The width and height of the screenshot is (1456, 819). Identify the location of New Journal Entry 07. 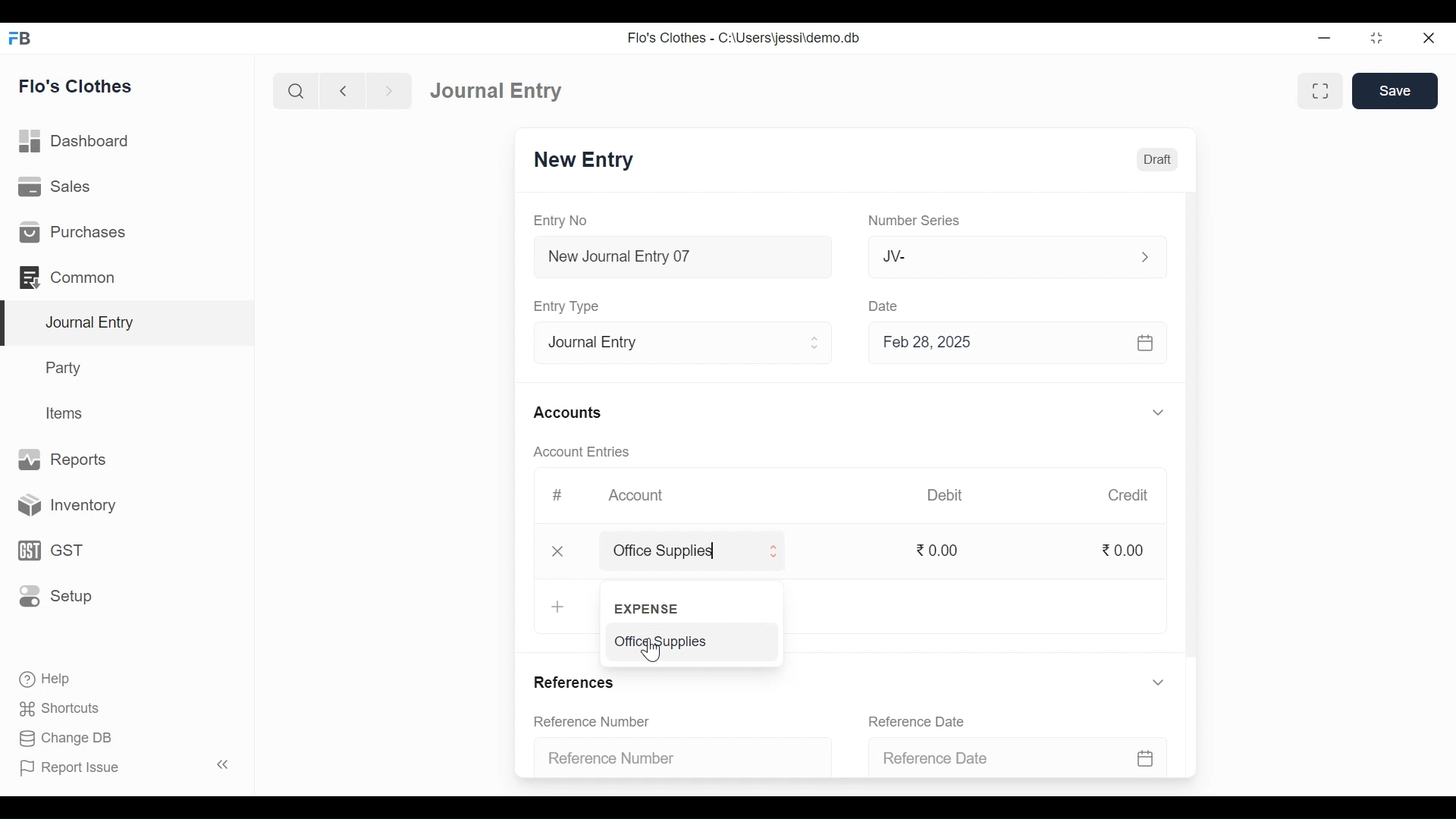
(684, 259).